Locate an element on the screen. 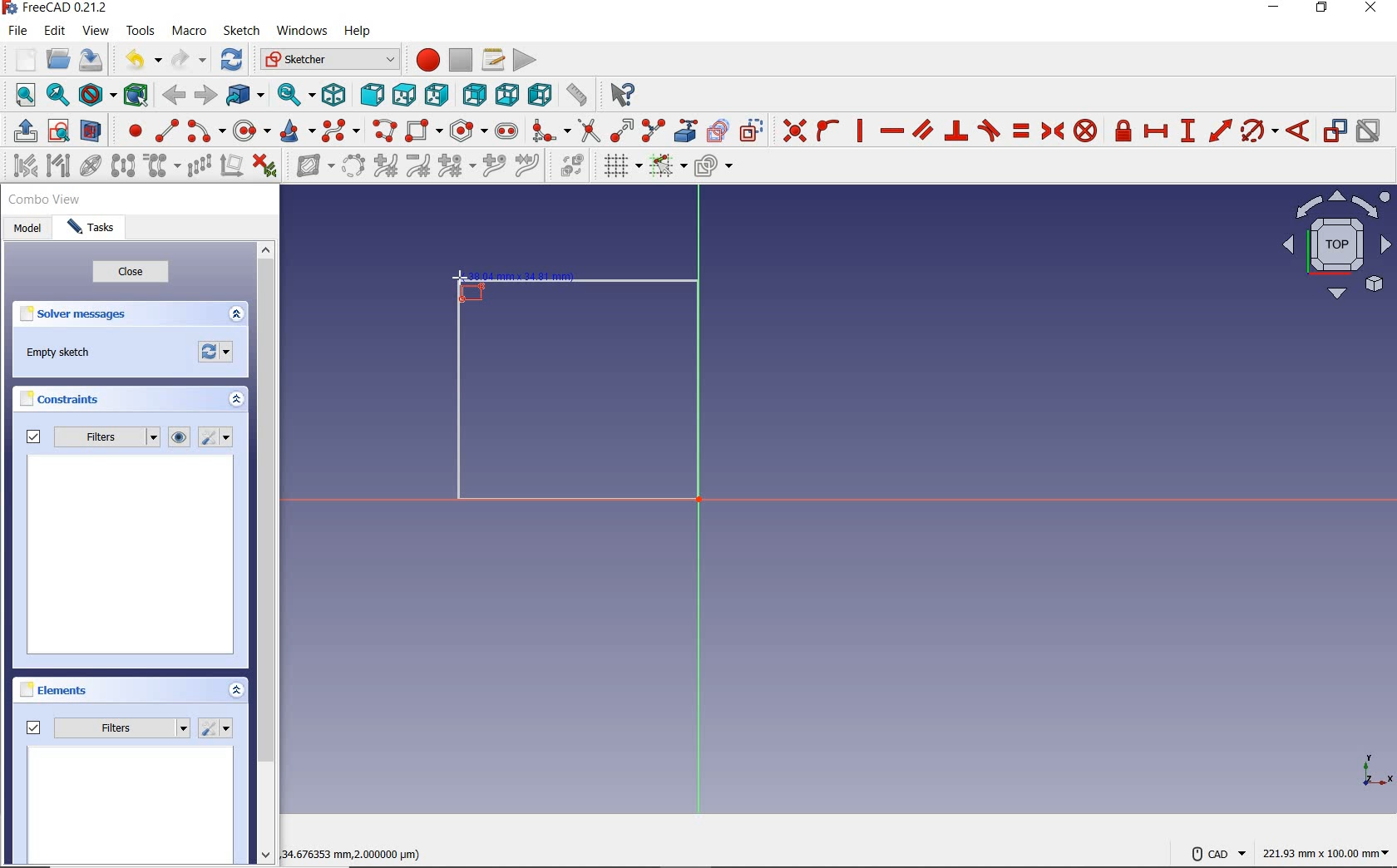 Image resolution: width=1397 pixels, height=868 pixels. what's this? is located at coordinates (618, 96).